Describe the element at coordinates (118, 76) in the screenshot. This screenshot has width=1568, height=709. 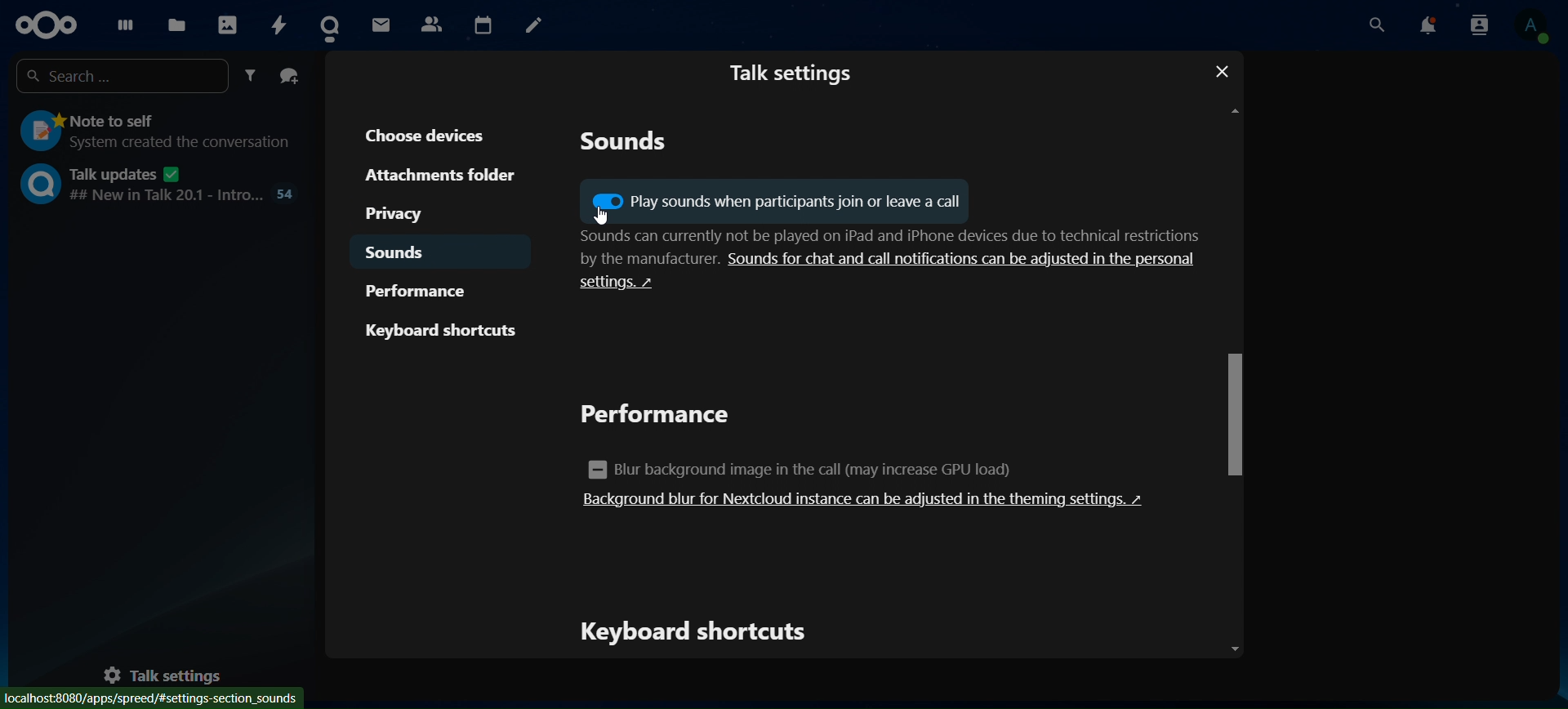
I see `search` at that location.